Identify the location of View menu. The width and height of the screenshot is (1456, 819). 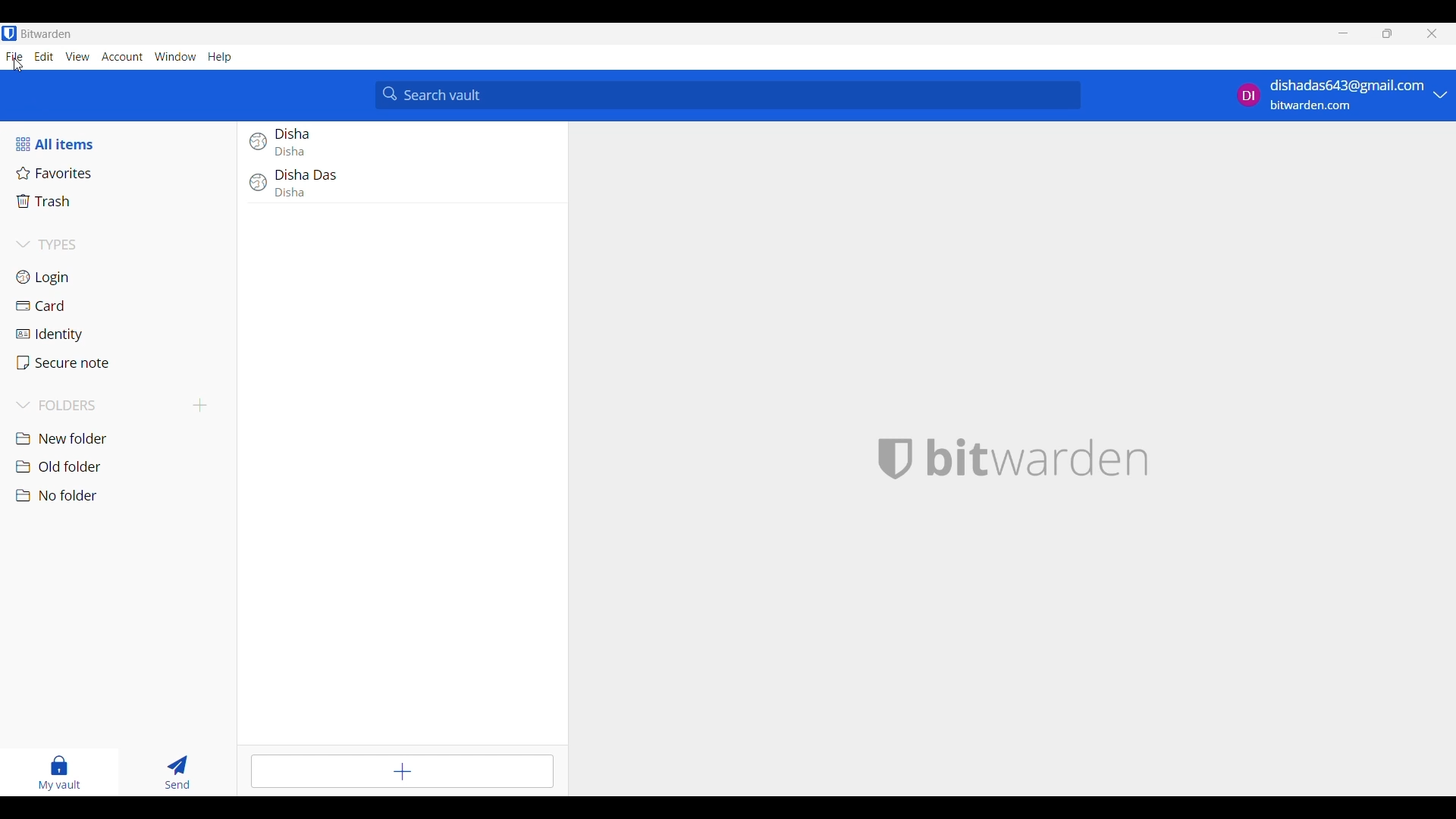
(77, 57).